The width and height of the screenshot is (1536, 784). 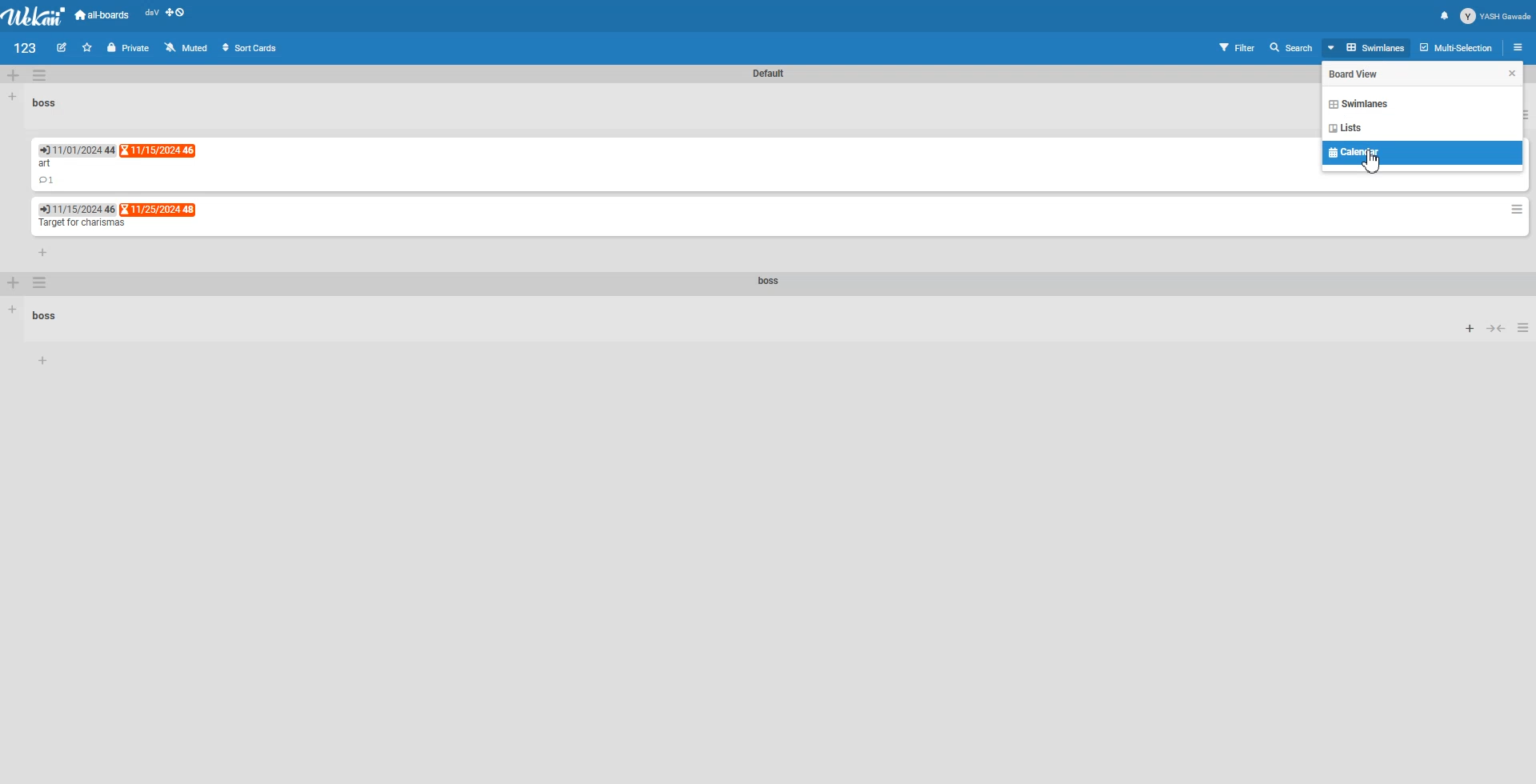 I want to click on Text, so click(x=47, y=316).